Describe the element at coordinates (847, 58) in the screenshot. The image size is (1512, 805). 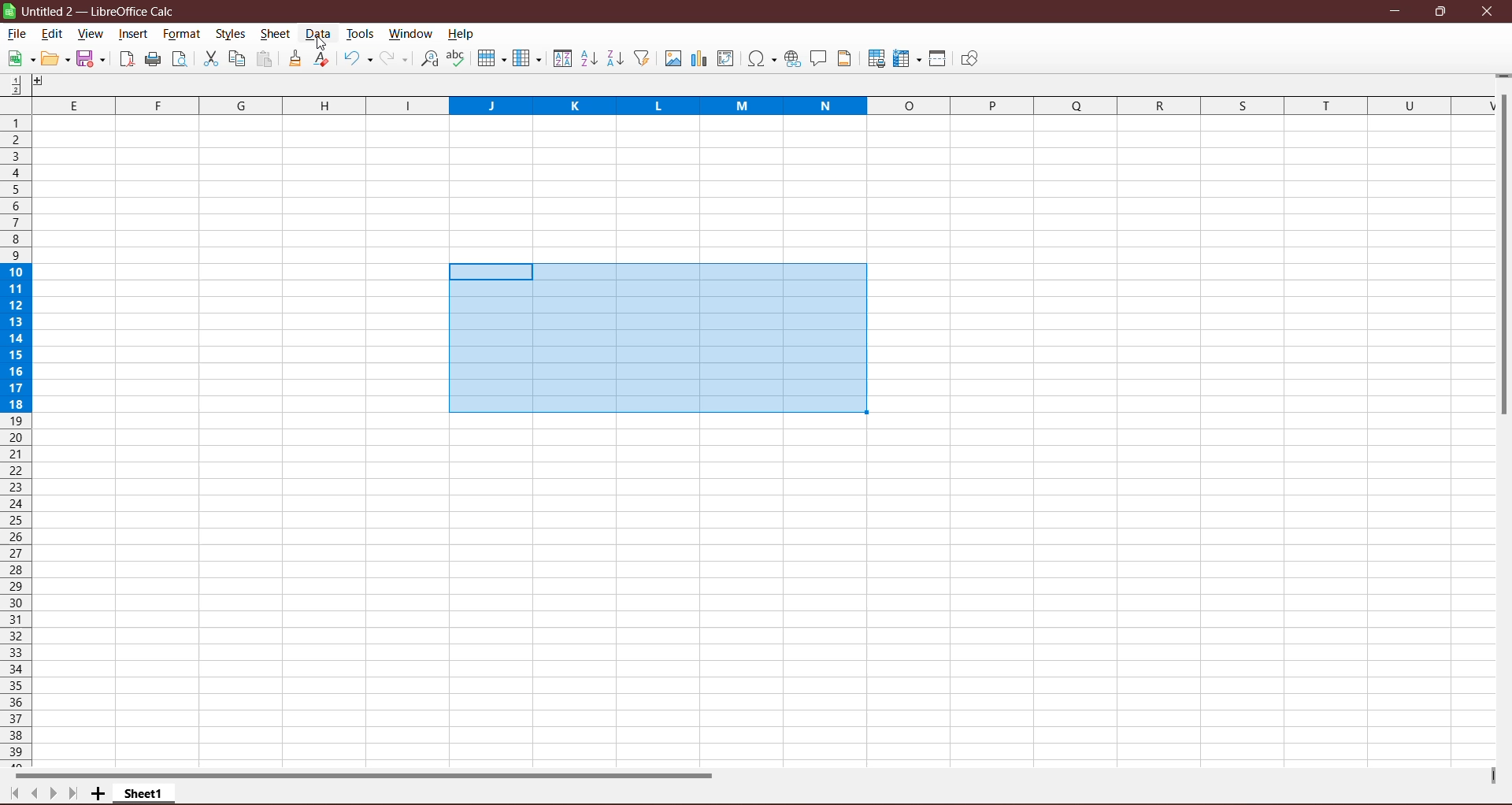
I see `Headers and Footers` at that location.